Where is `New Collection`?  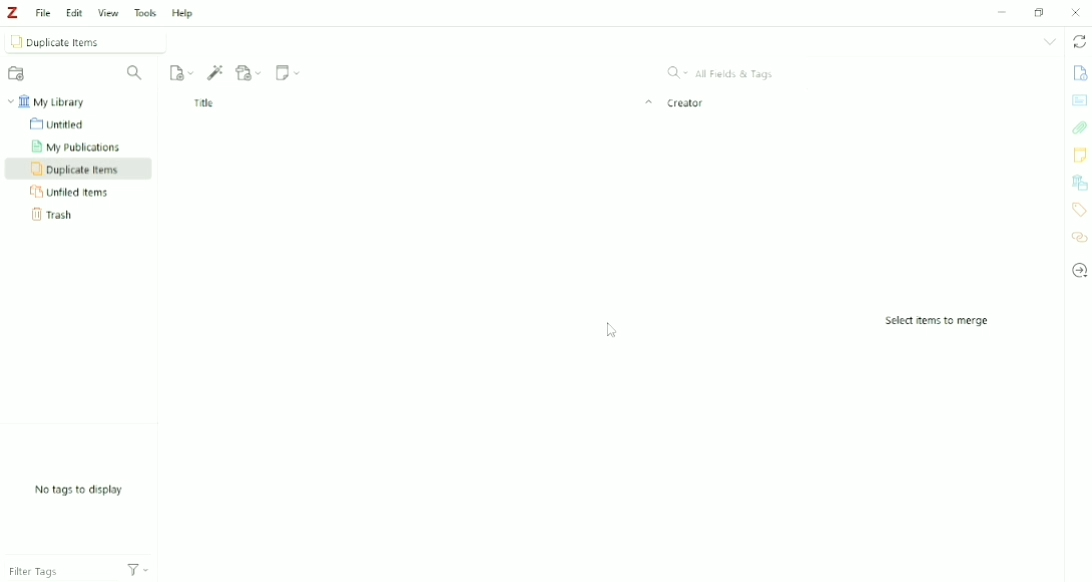 New Collection is located at coordinates (18, 74).